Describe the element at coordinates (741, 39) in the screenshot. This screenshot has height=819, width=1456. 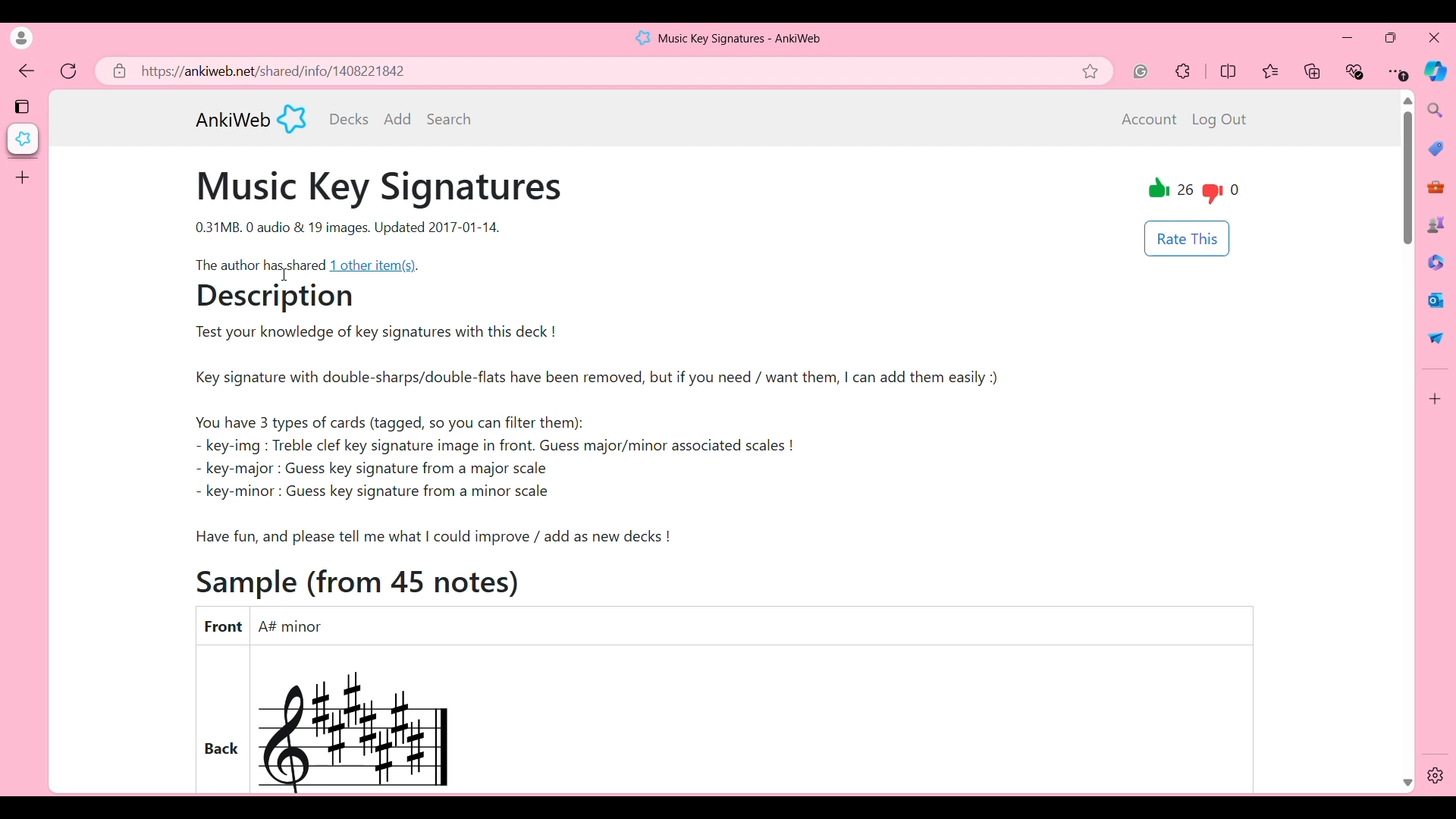
I see `Music Key Signatures - AnkiWeb` at that location.